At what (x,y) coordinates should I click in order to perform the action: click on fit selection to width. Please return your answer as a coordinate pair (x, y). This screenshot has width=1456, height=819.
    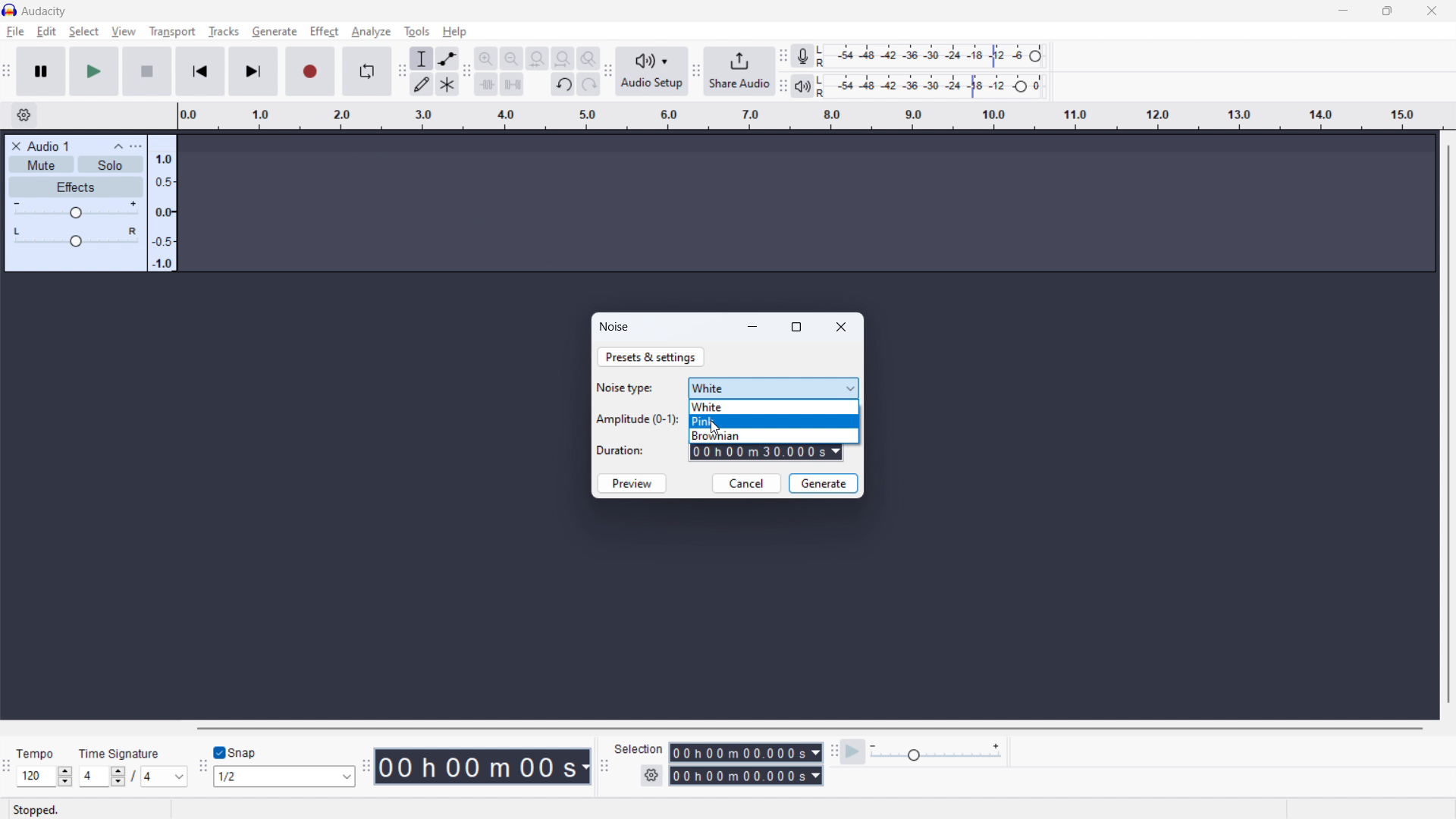
    Looking at the image, I should click on (537, 58).